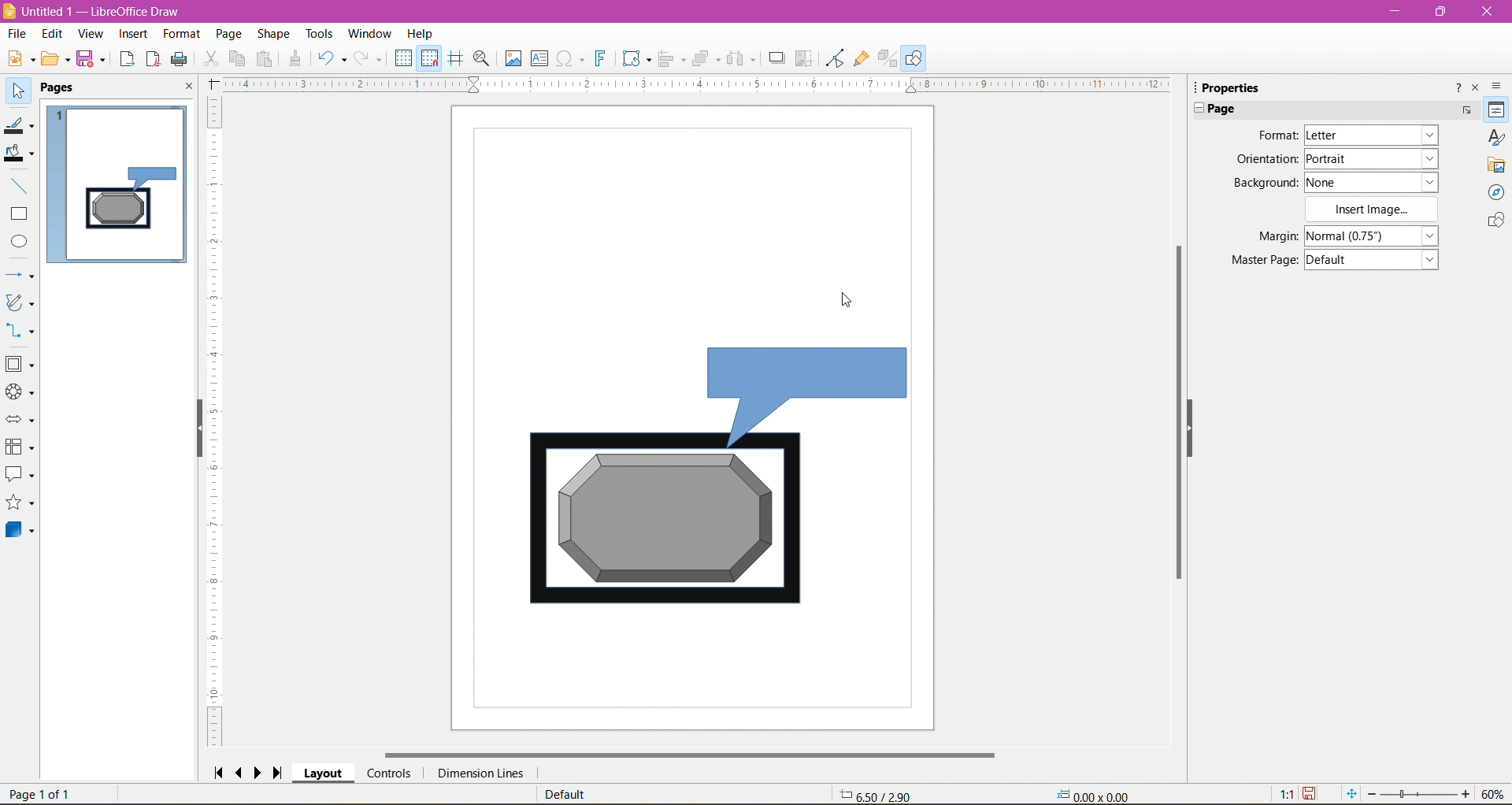 The width and height of the screenshot is (1512, 805). Describe the element at coordinates (125, 58) in the screenshot. I see `Export` at that location.